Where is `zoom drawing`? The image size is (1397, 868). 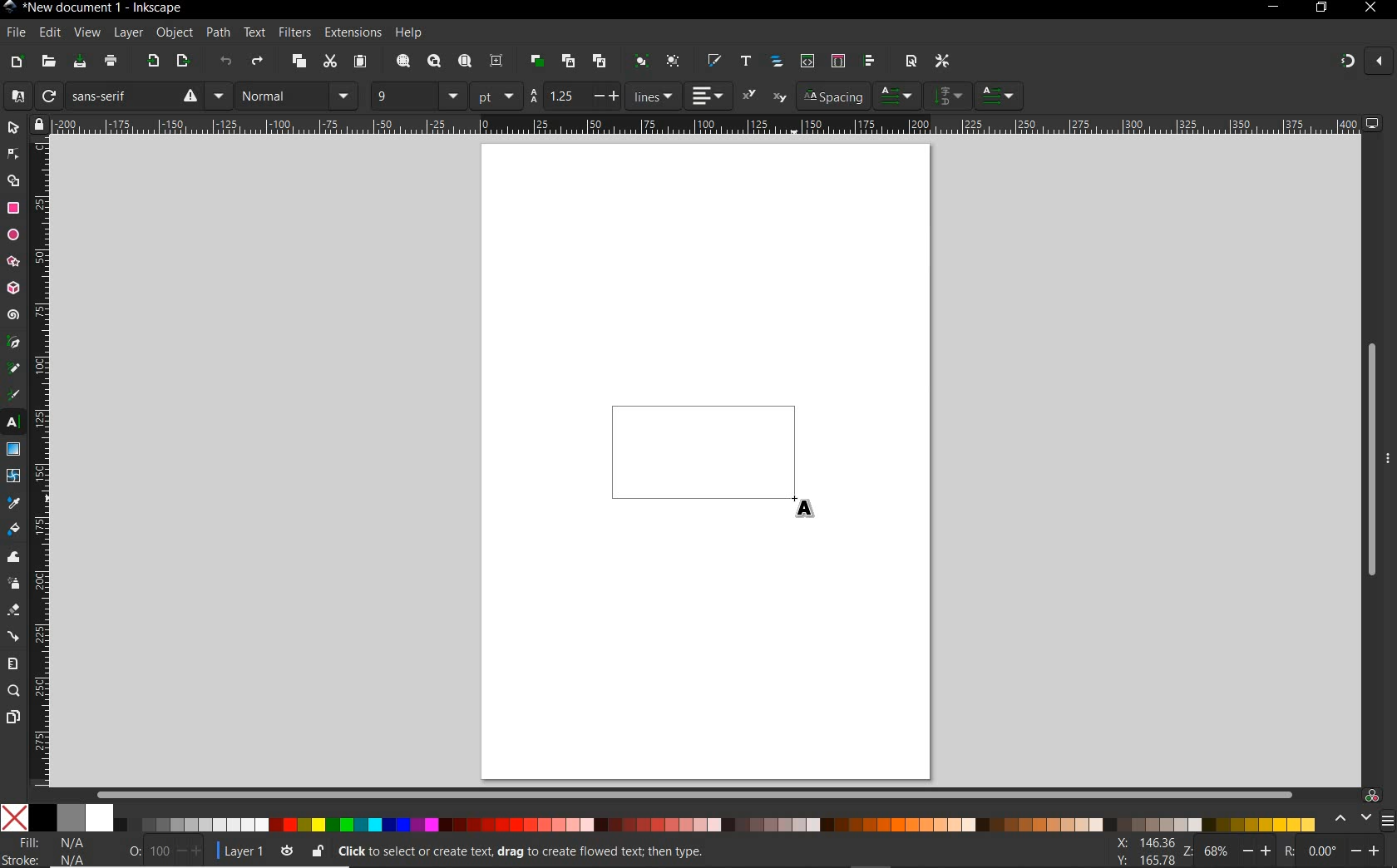 zoom drawing is located at coordinates (435, 62).